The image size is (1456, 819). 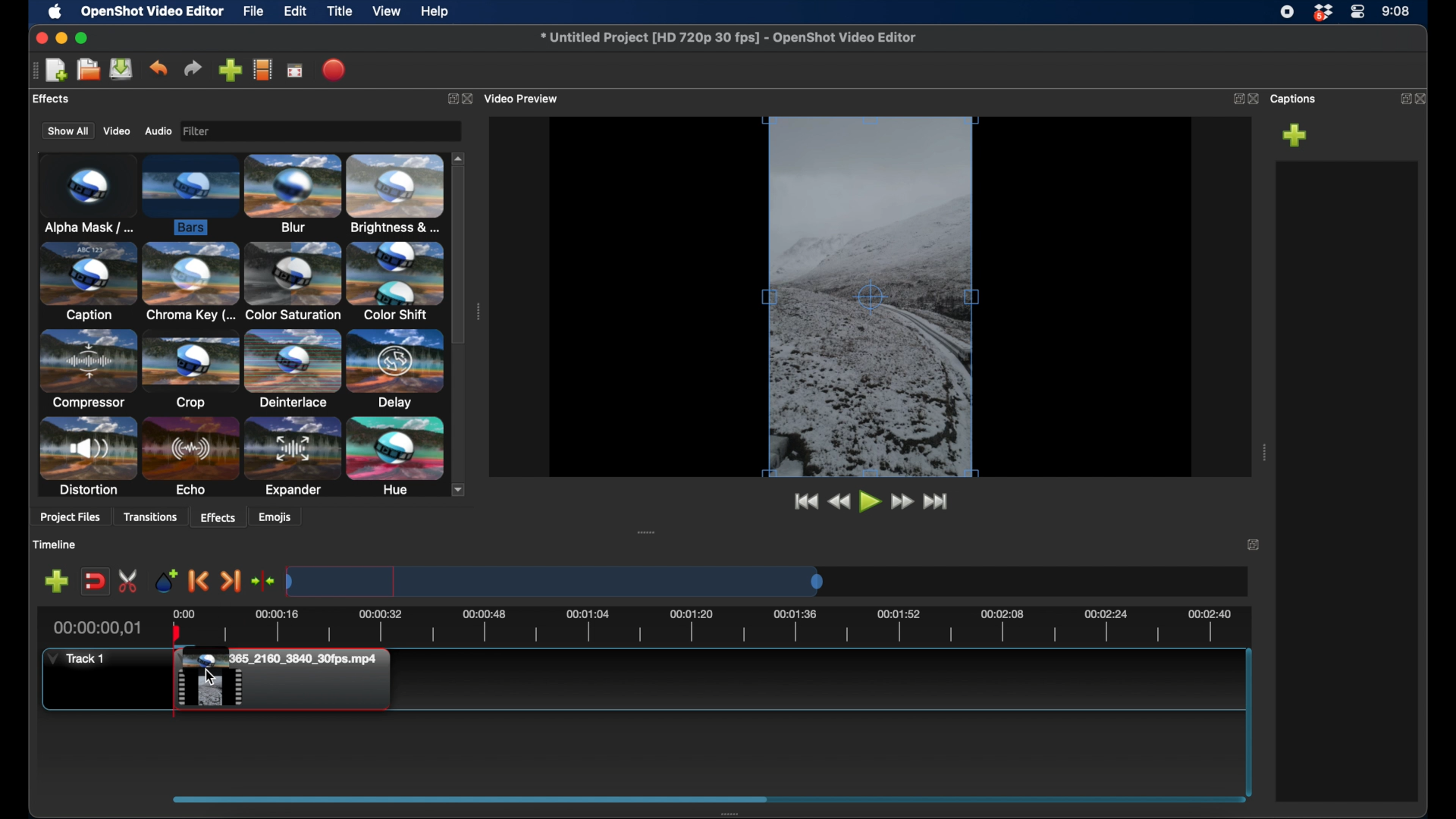 I want to click on expand, so click(x=1235, y=99).